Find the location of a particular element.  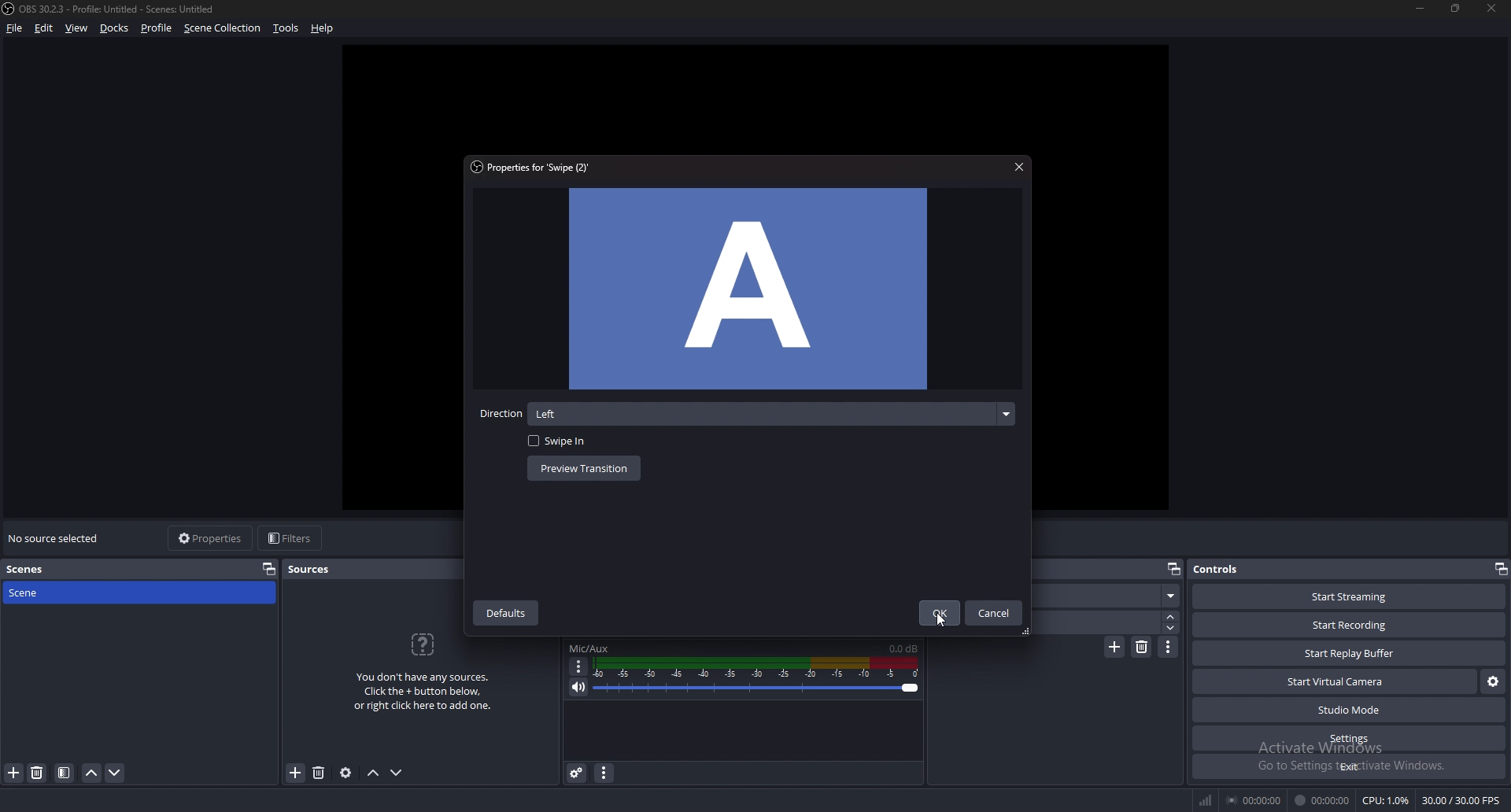

30.00 /30.00 FPS is located at coordinates (1461, 800).